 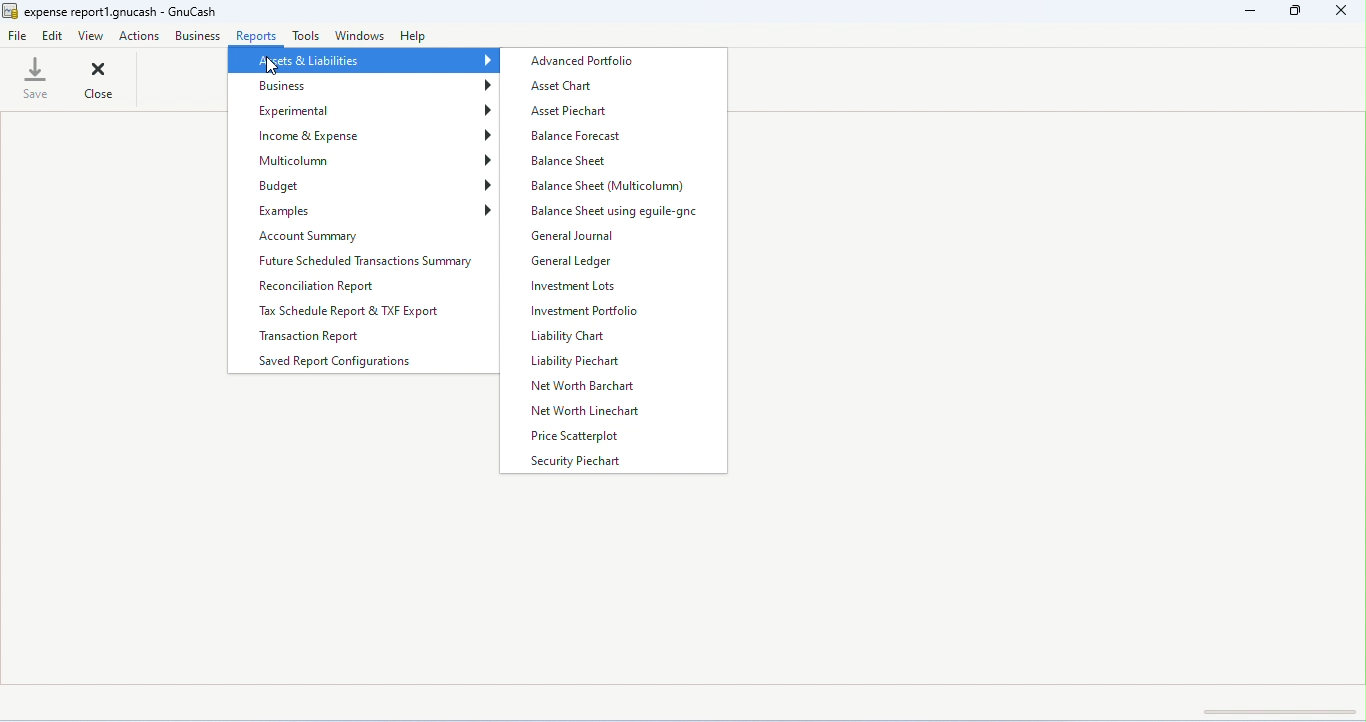 What do you see at coordinates (364, 136) in the screenshot?
I see `income and expense` at bounding box center [364, 136].